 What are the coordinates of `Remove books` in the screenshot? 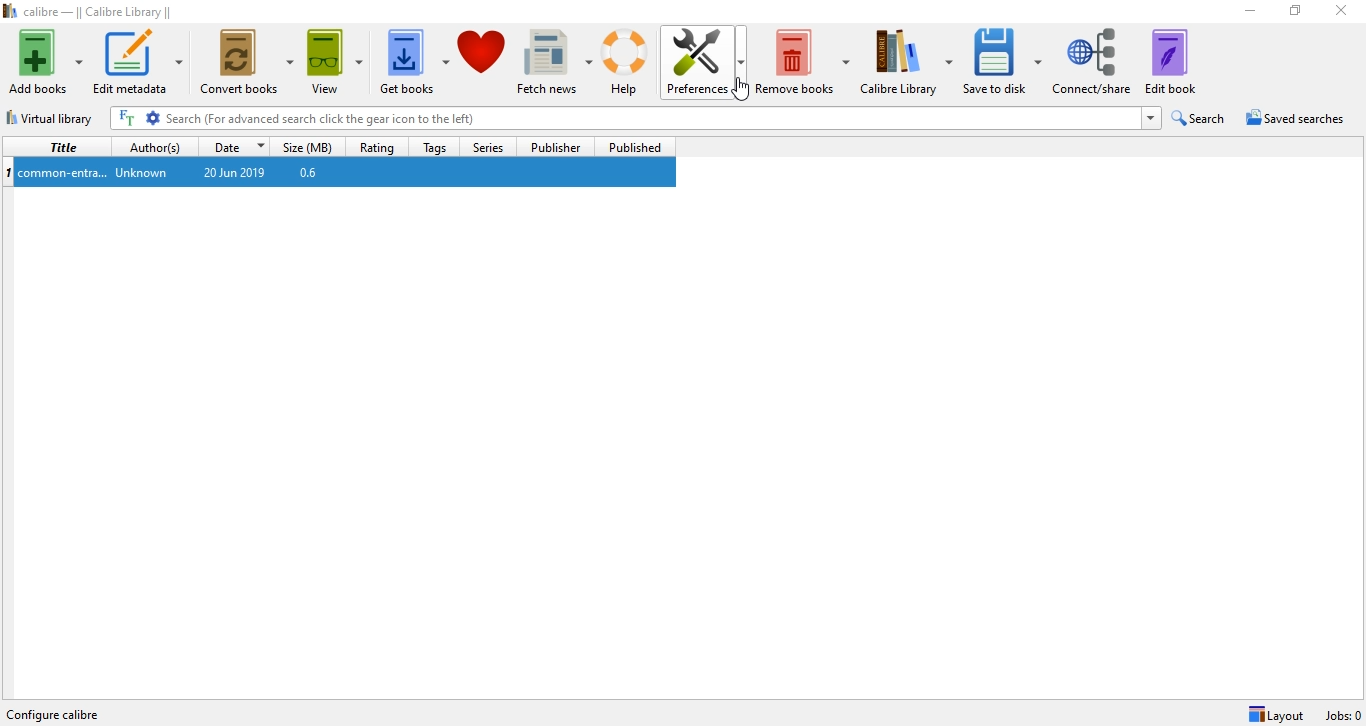 It's located at (805, 56).